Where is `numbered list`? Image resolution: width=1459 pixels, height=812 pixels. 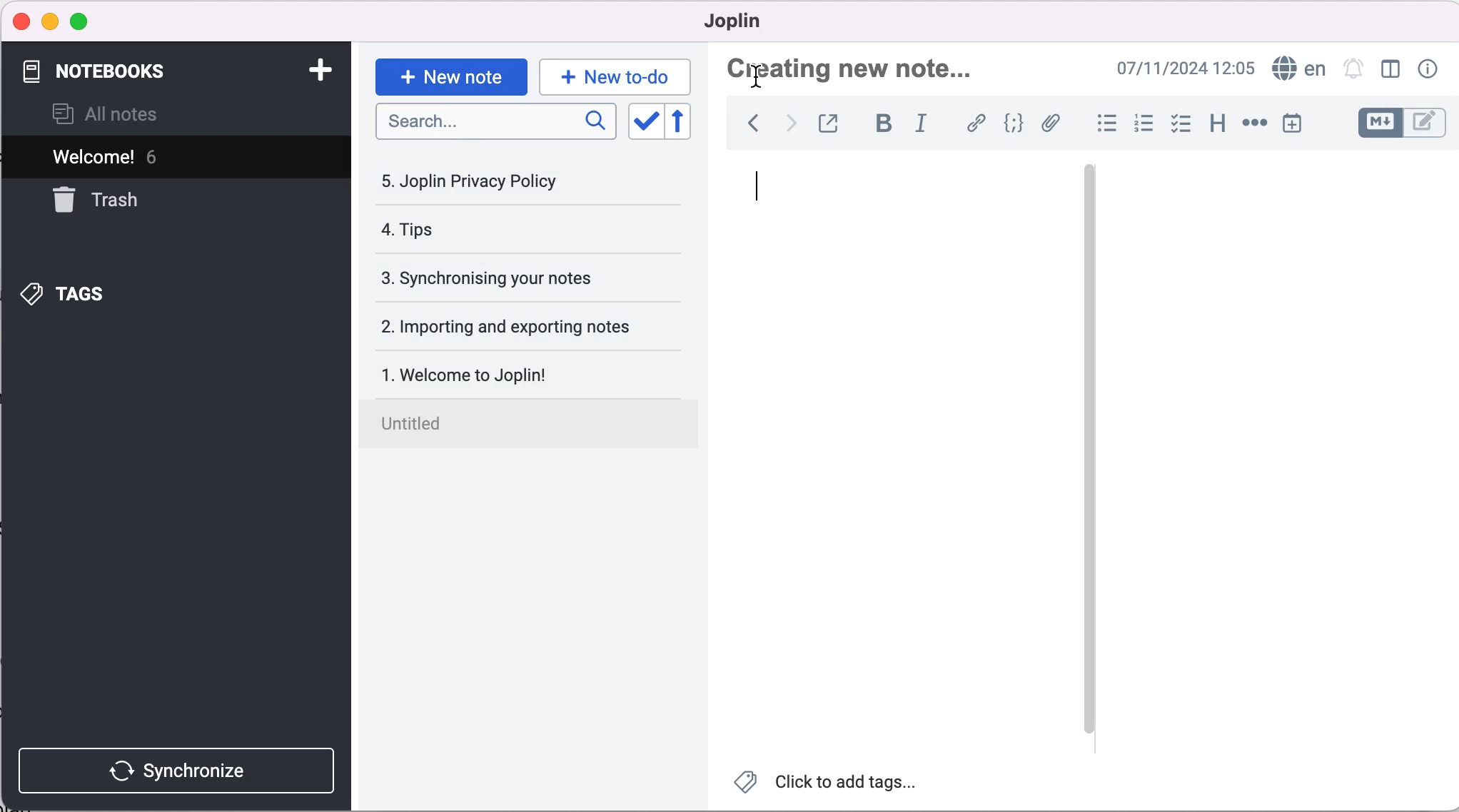 numbered list is located at coordinates (1139, 123).